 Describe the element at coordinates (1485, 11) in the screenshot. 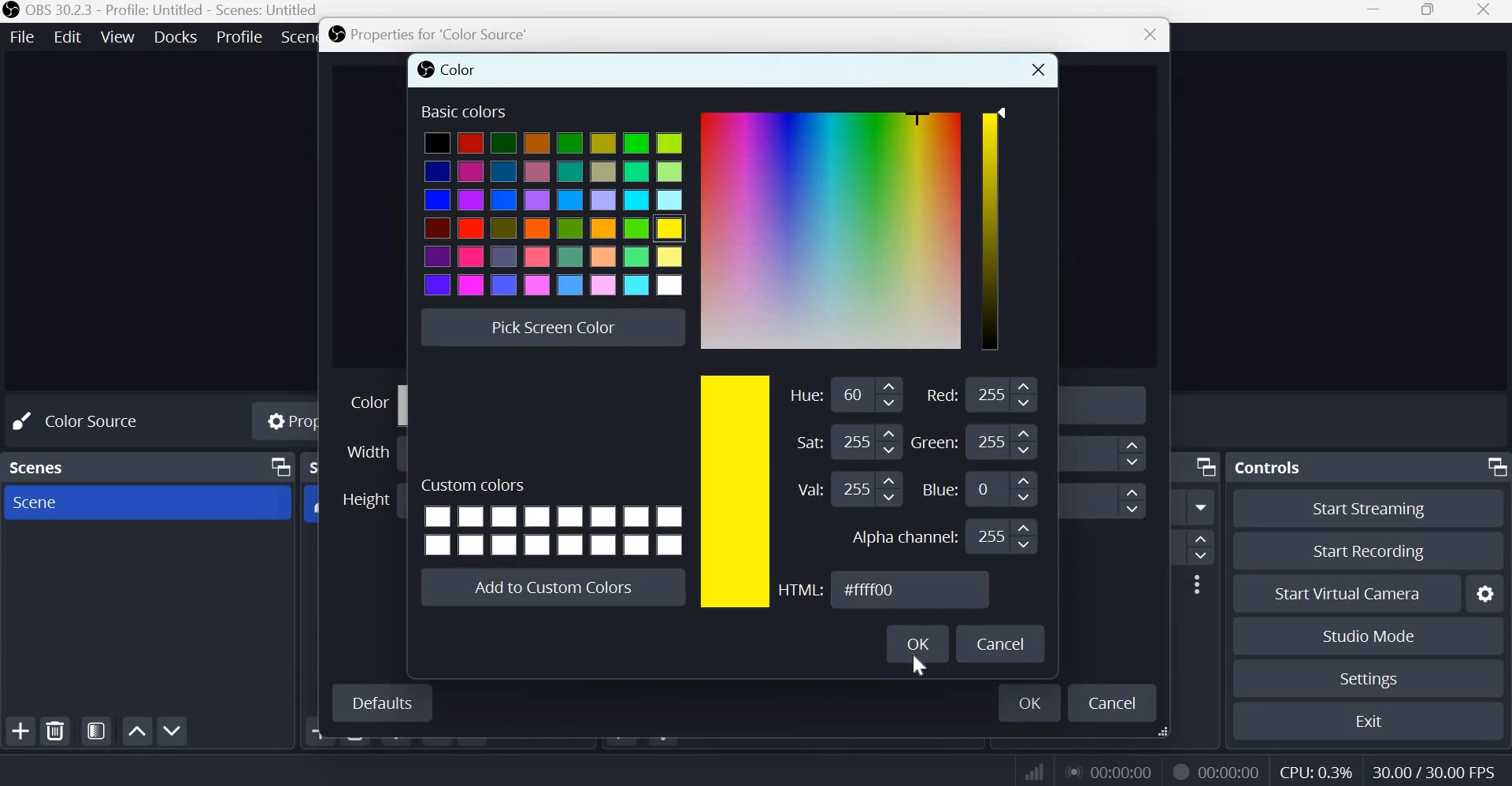

I see `Close` at that location.